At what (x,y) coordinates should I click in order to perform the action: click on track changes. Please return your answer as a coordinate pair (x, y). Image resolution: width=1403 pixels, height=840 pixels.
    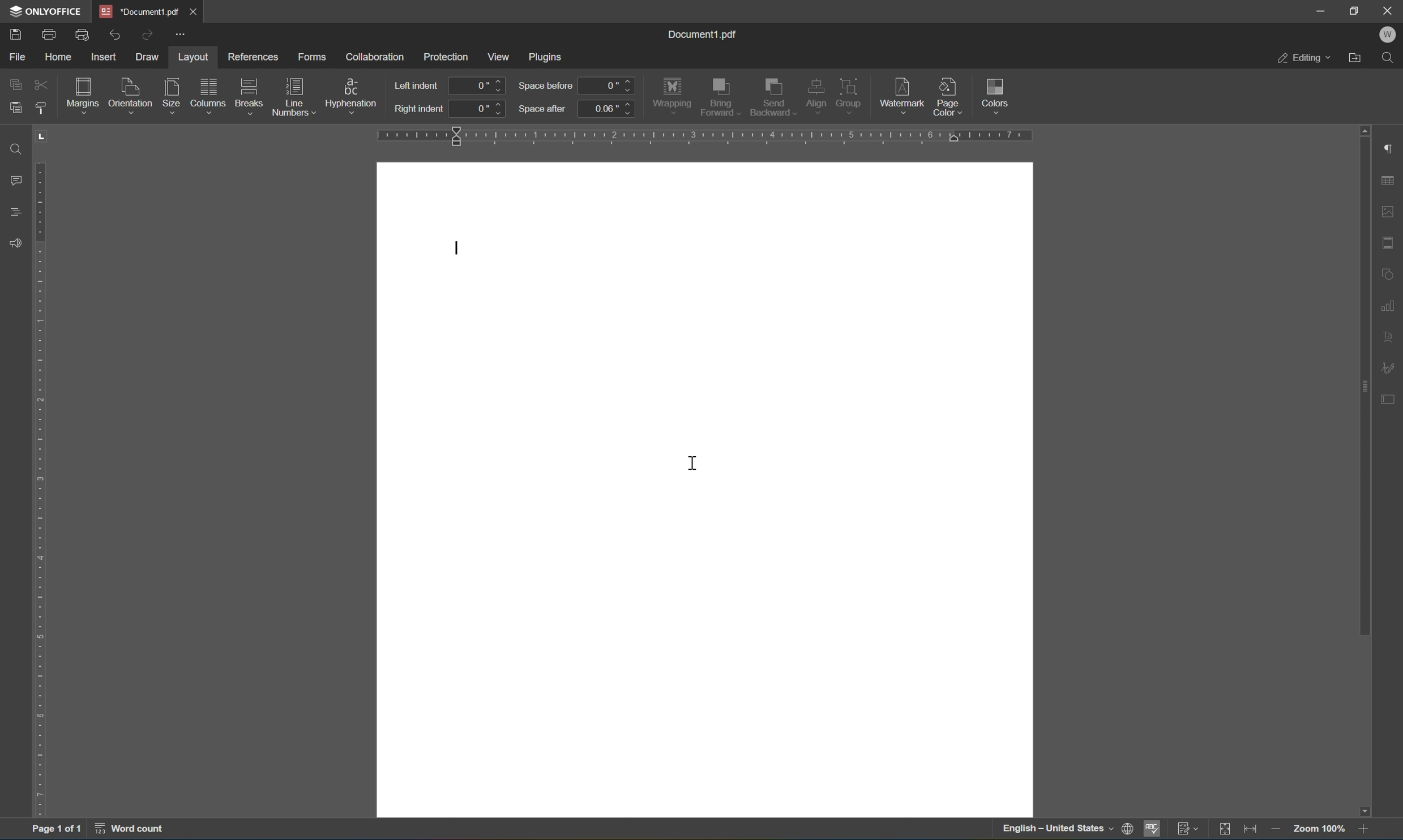
    Looking at the image, I should click on (1190, 830).